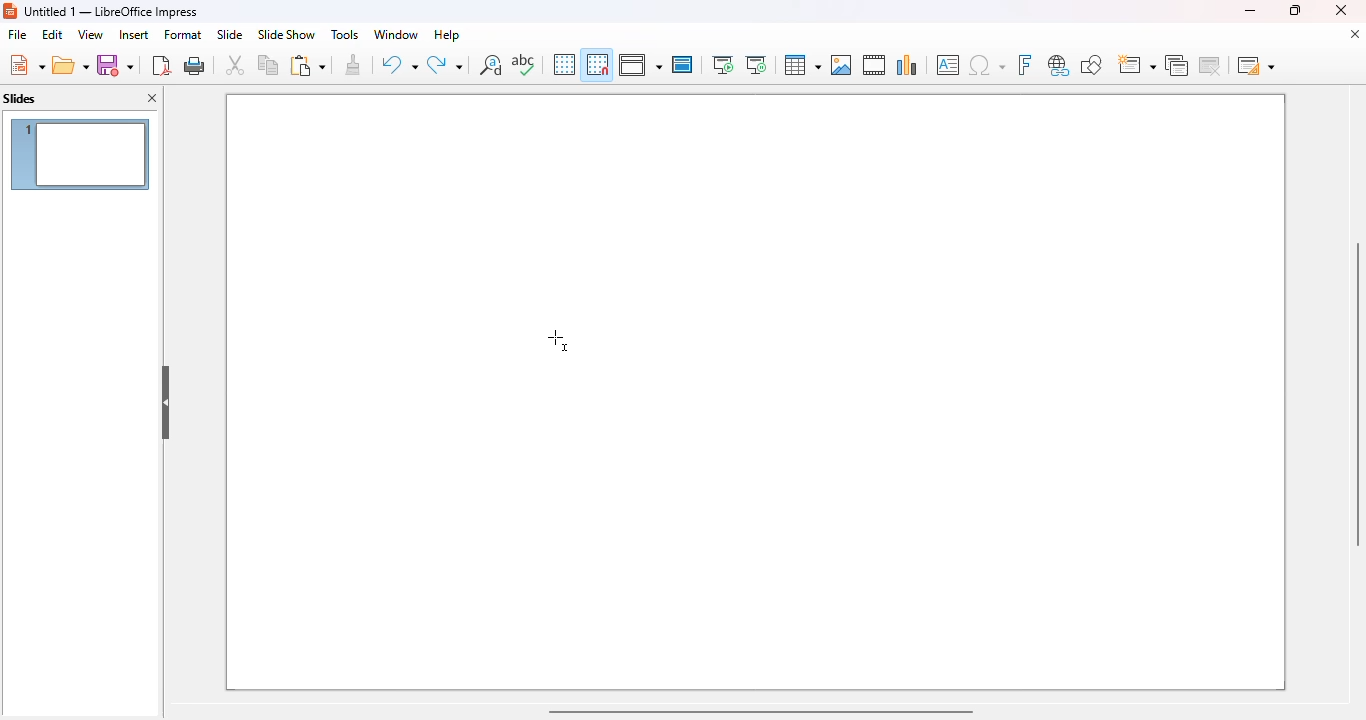 The width and height of the screenshot is (1366, 720). I want to click on new slide, so click(1135, 65).